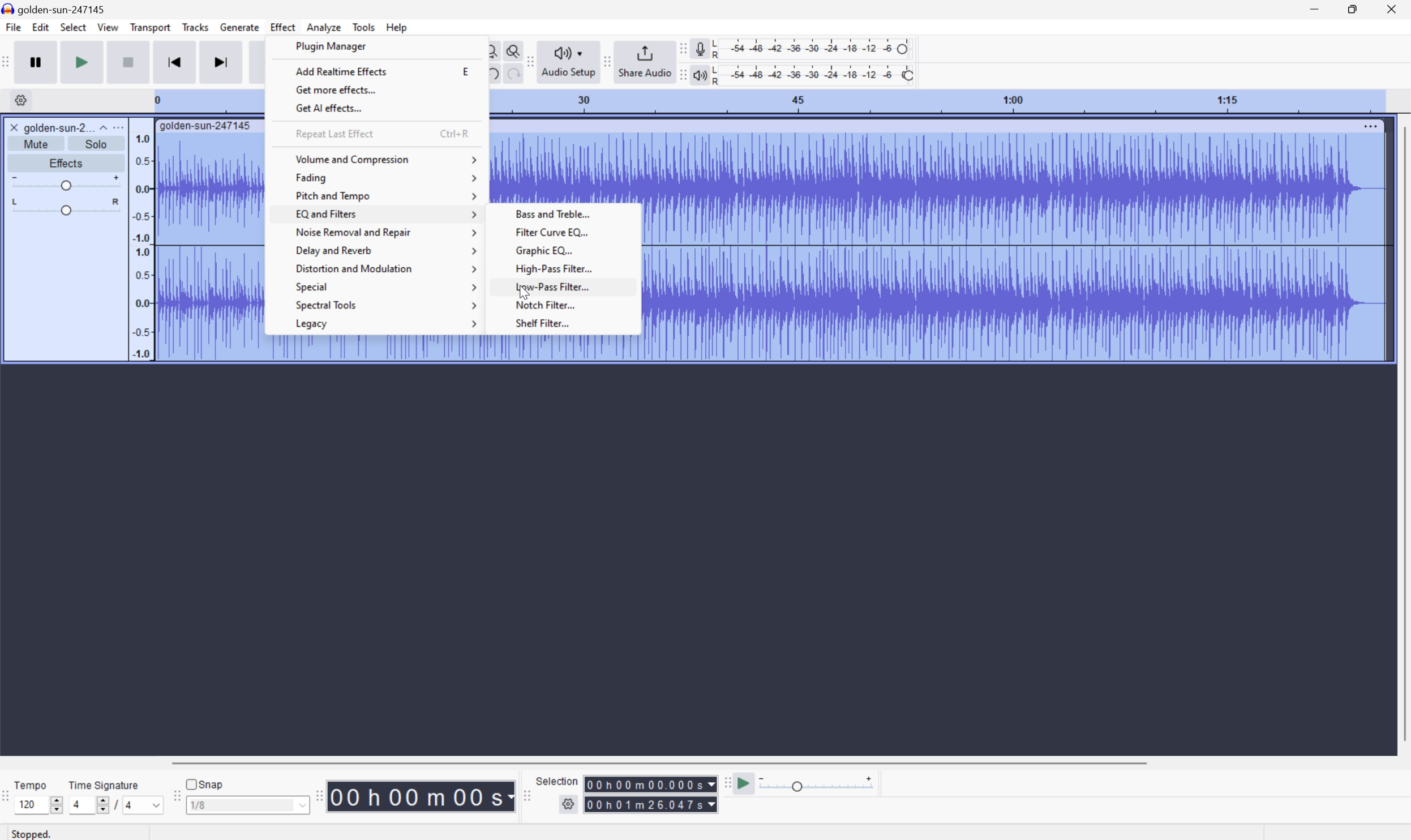 This screenshot has height=840, width=1411. Describe the element at coordinates (650, 784) in the screenshot. I see `` at that location.